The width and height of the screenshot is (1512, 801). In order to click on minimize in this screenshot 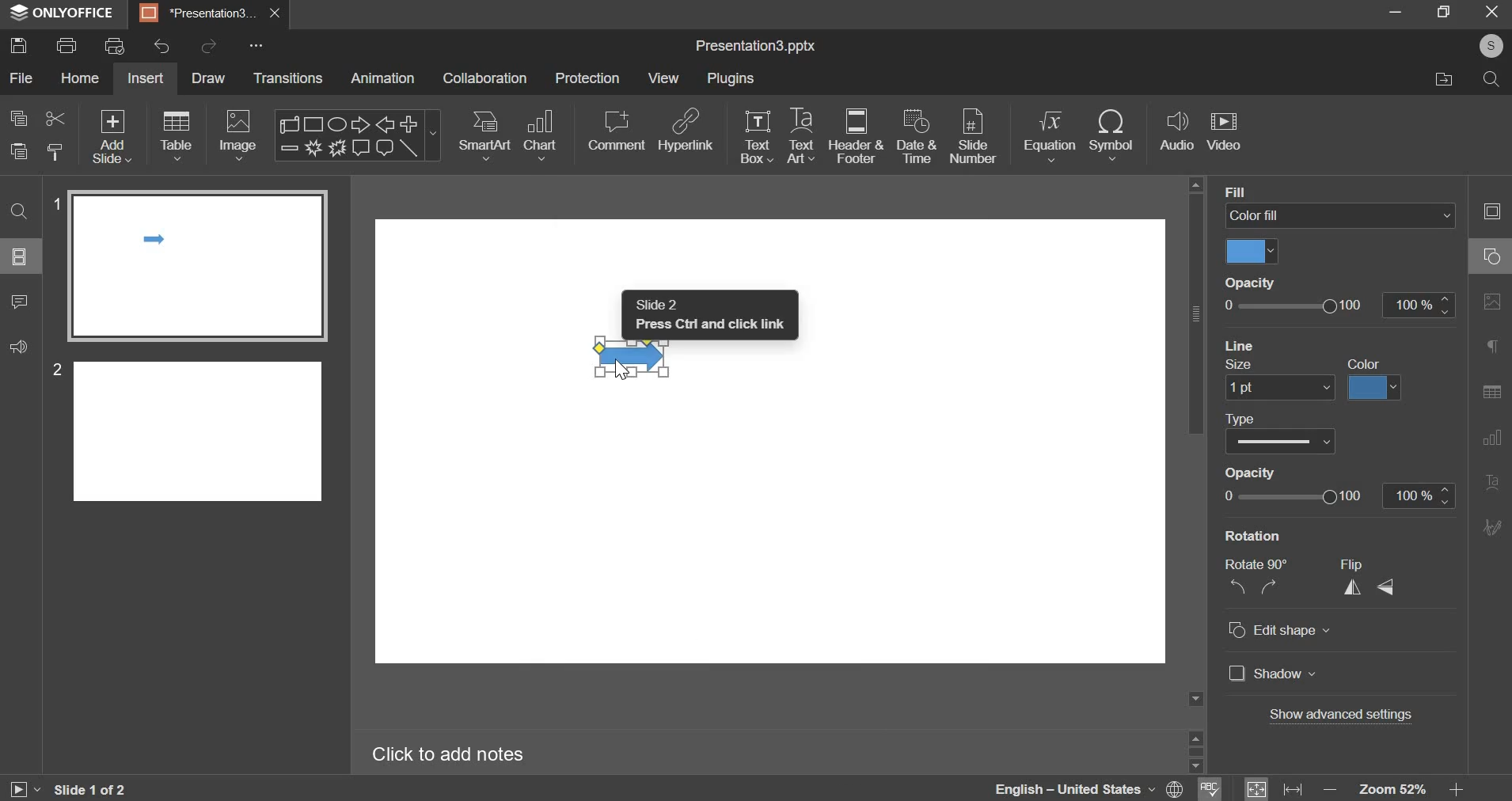, I will do `click(1396, 11)`.